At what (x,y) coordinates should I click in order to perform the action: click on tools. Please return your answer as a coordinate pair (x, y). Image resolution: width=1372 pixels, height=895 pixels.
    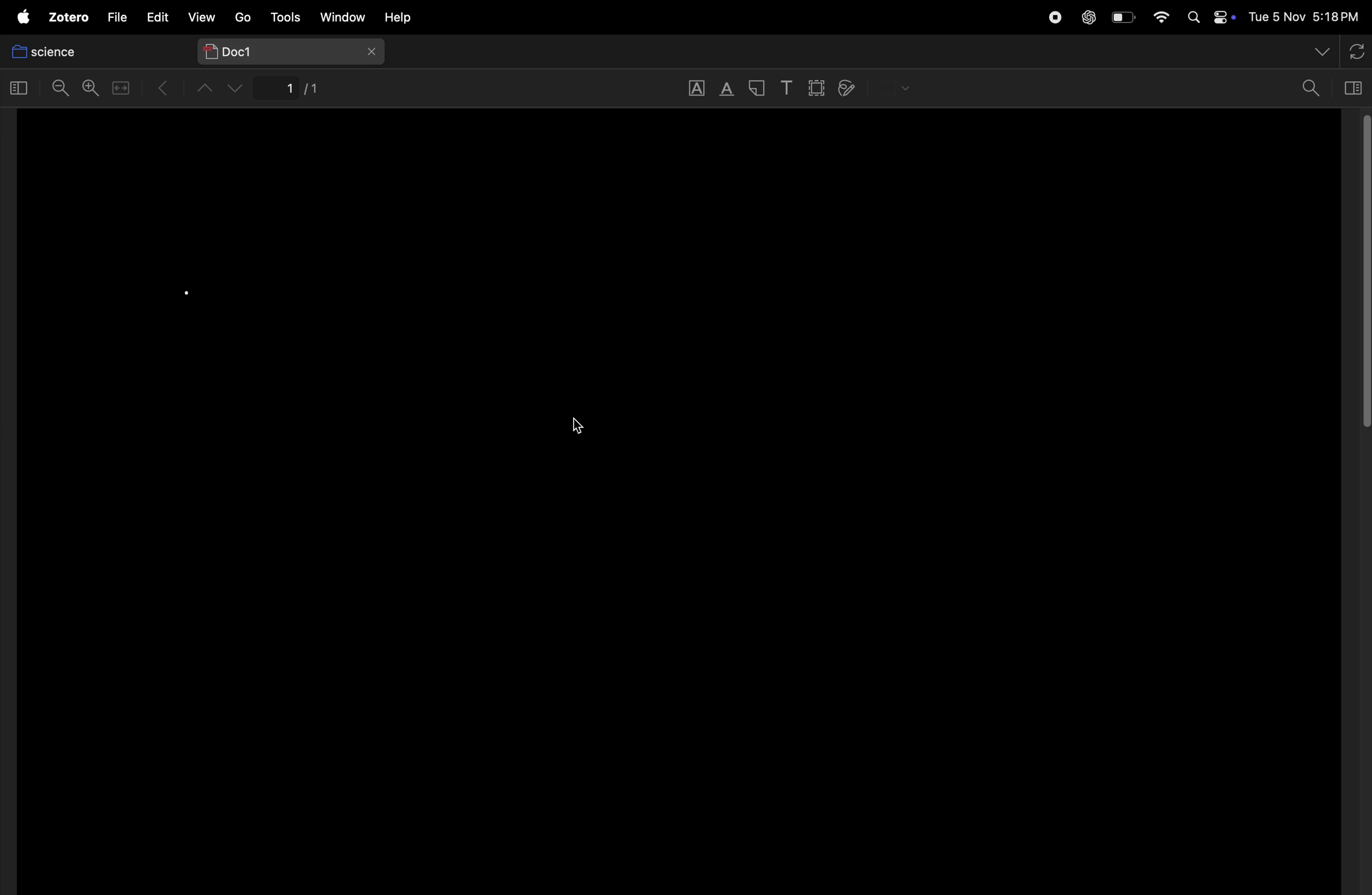
    Looking at the image, I should click on (285, 16).